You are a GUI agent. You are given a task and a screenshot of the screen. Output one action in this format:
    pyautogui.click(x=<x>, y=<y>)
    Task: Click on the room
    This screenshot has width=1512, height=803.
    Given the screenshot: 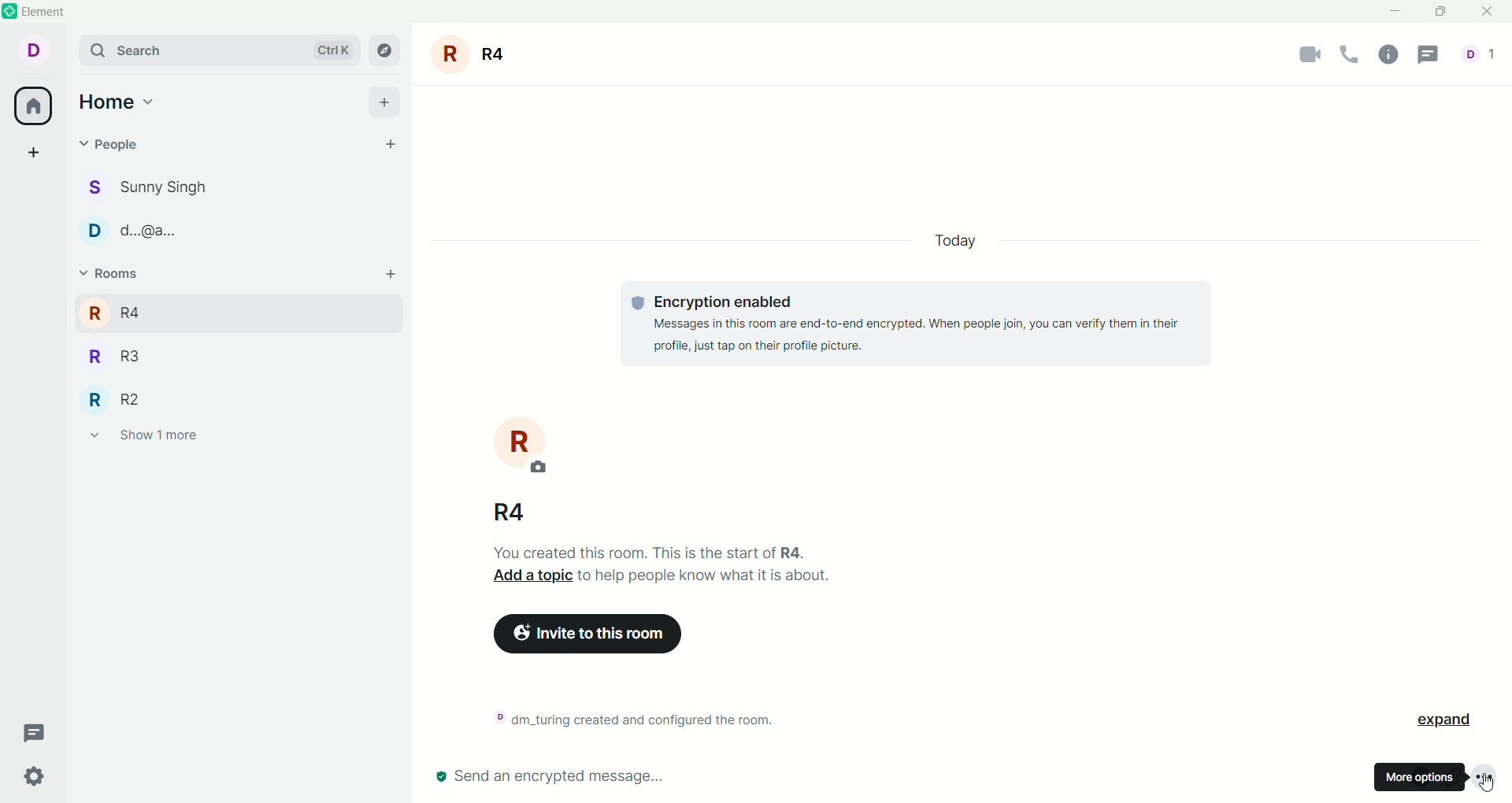 What is the action you would take?
    pyautogui.click(x=522, y=443)
    